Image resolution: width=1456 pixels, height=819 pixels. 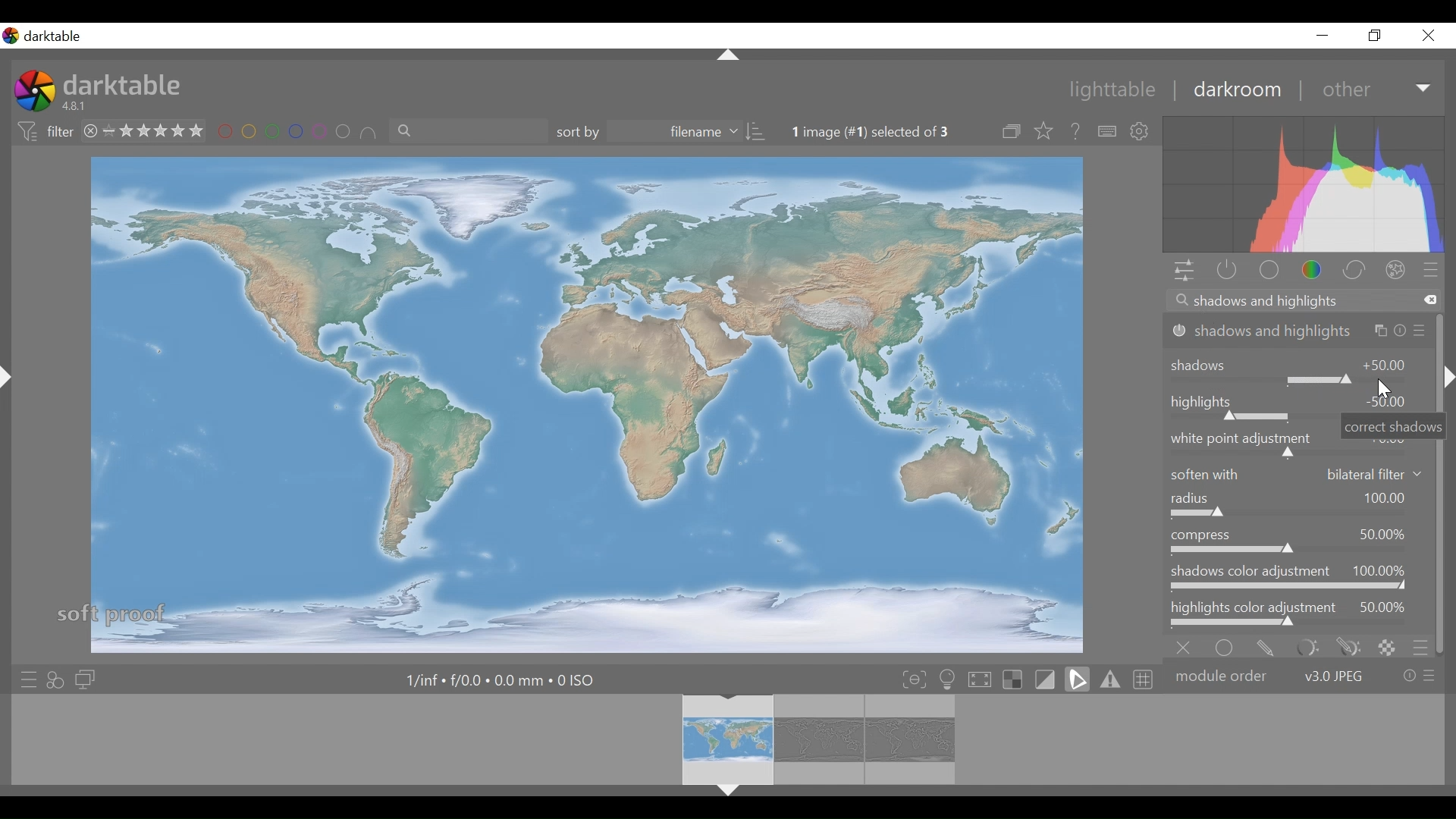 What do you see at coordinates (1248, 407) in the screenshot?
I see `highlights` at bounding box center [1248, 407].